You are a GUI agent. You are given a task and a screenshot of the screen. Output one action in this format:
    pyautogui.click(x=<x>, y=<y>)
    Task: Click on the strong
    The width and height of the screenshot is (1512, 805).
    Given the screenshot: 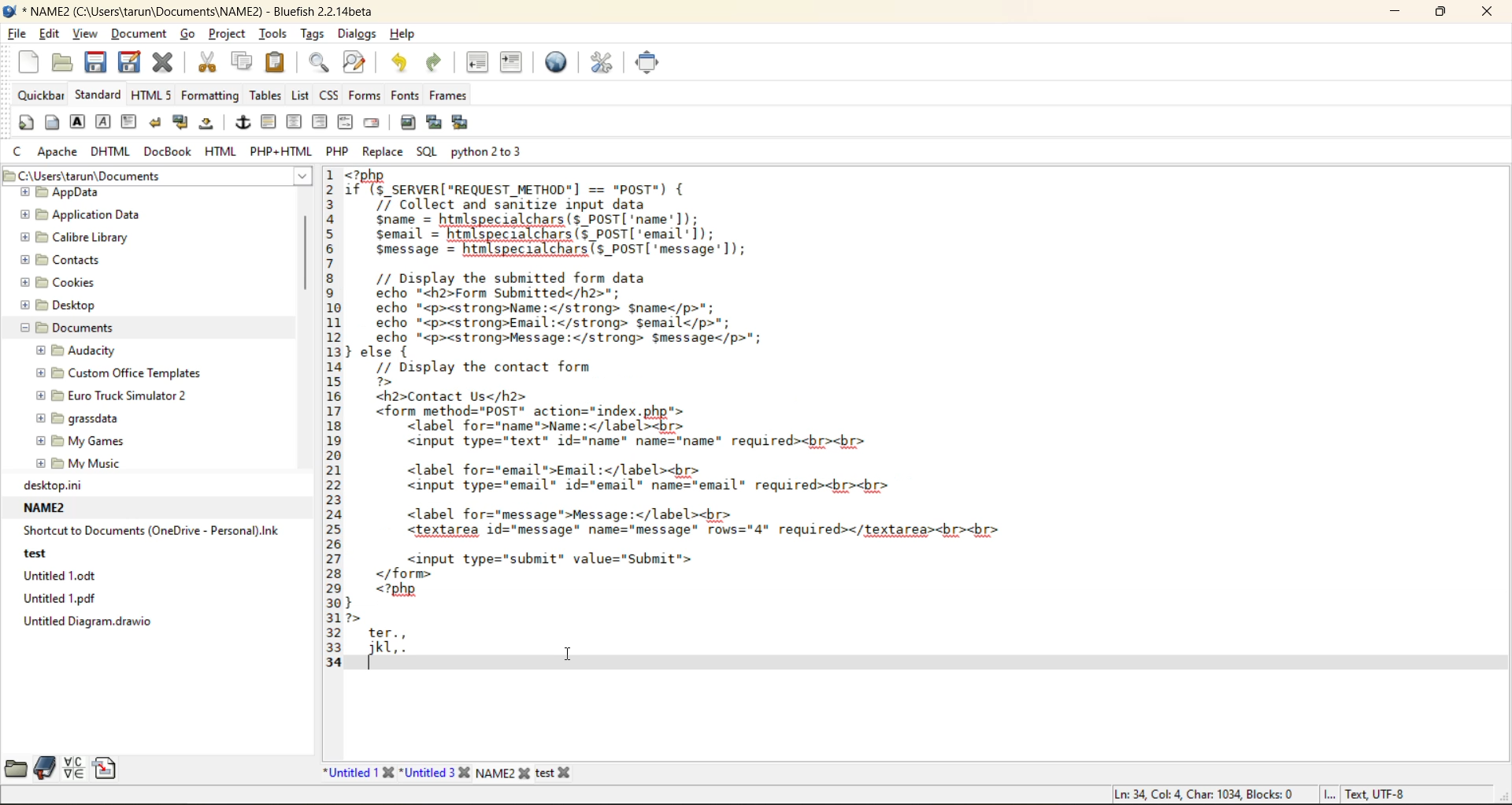 What is the action you would take?
    pyautogui.click(x=80, y=123)
    